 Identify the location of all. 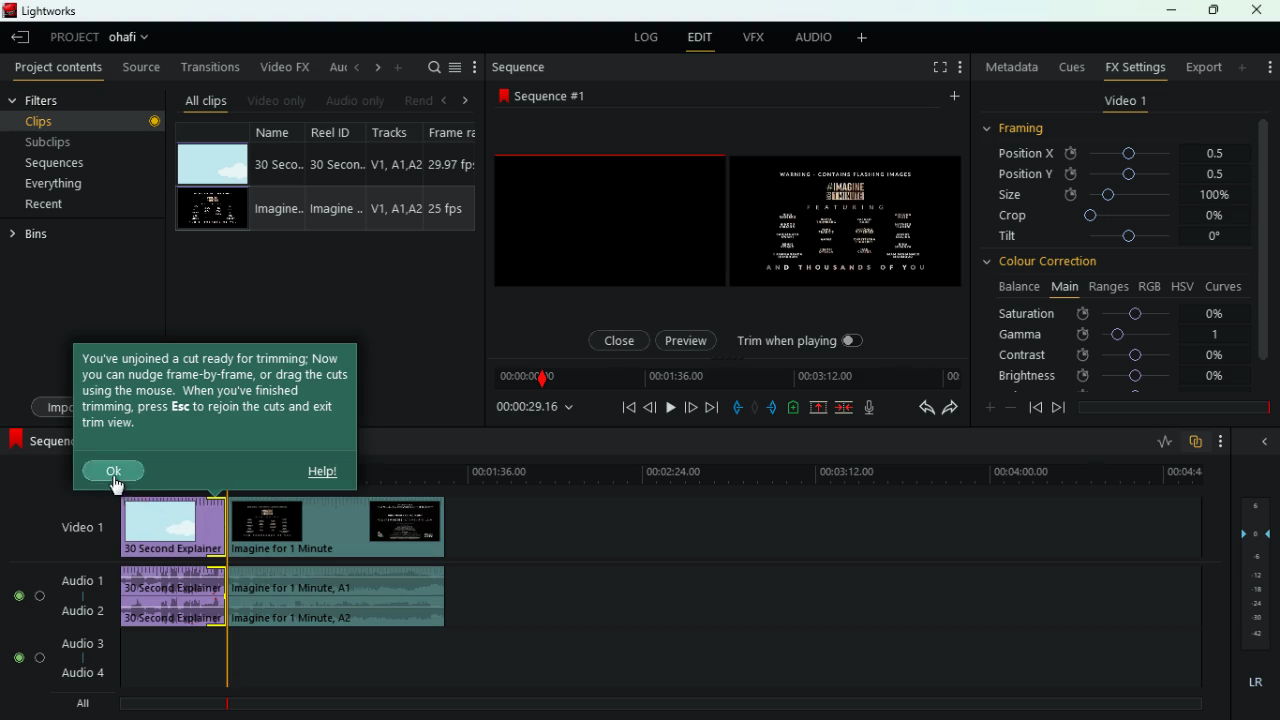
(90, 703).